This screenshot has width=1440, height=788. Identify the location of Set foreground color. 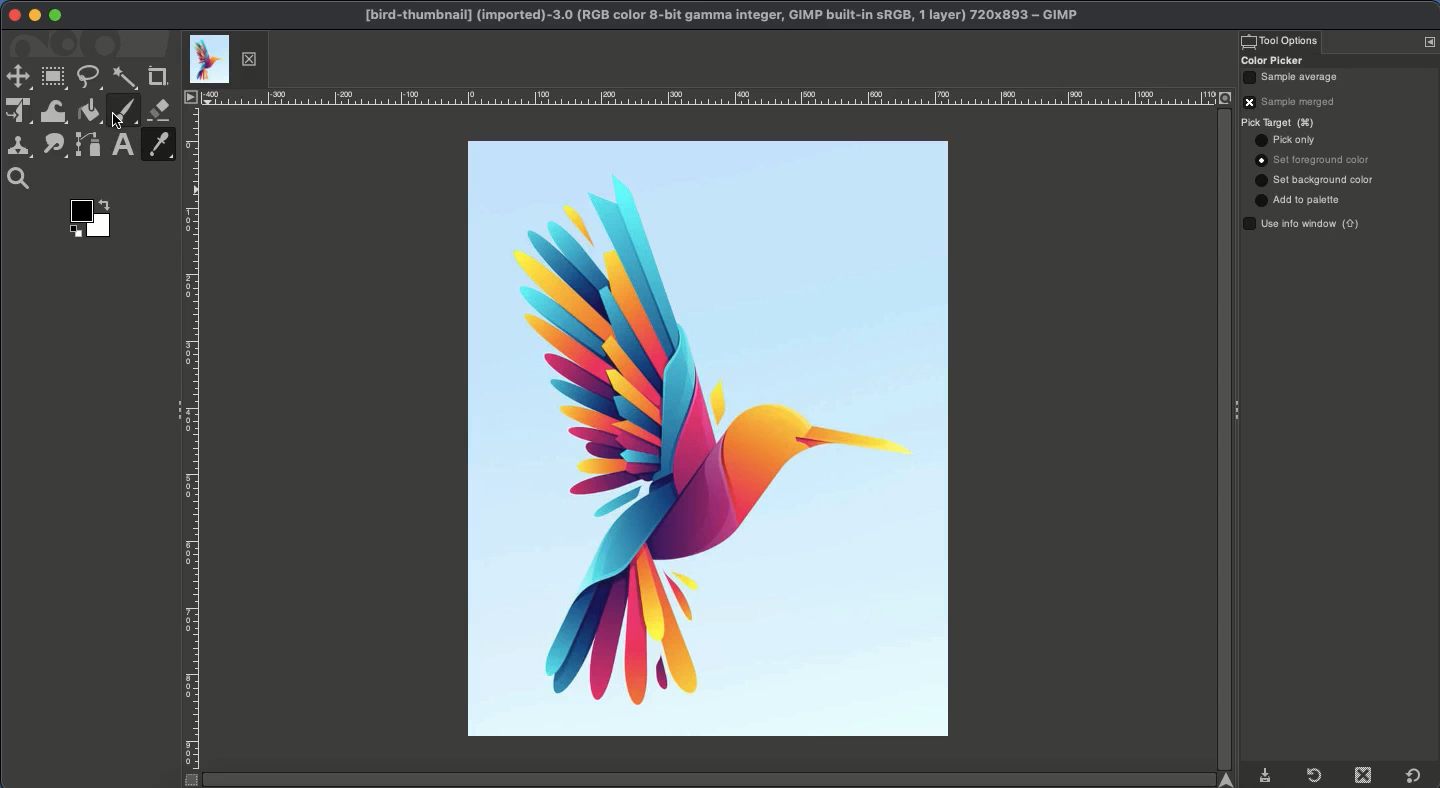
(1315, 160).